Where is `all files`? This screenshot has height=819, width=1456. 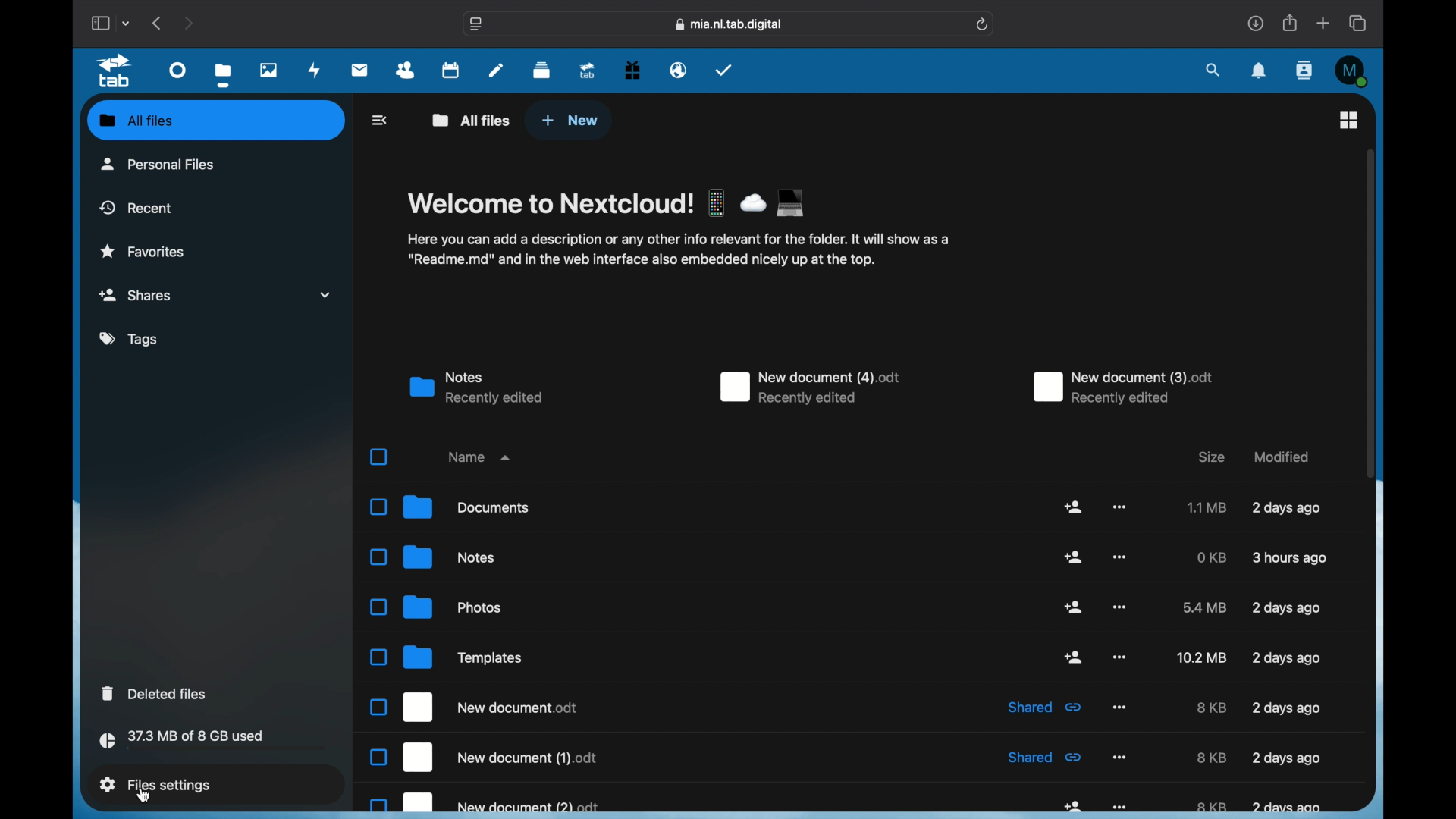
all files is located at coordinates (472, 120).